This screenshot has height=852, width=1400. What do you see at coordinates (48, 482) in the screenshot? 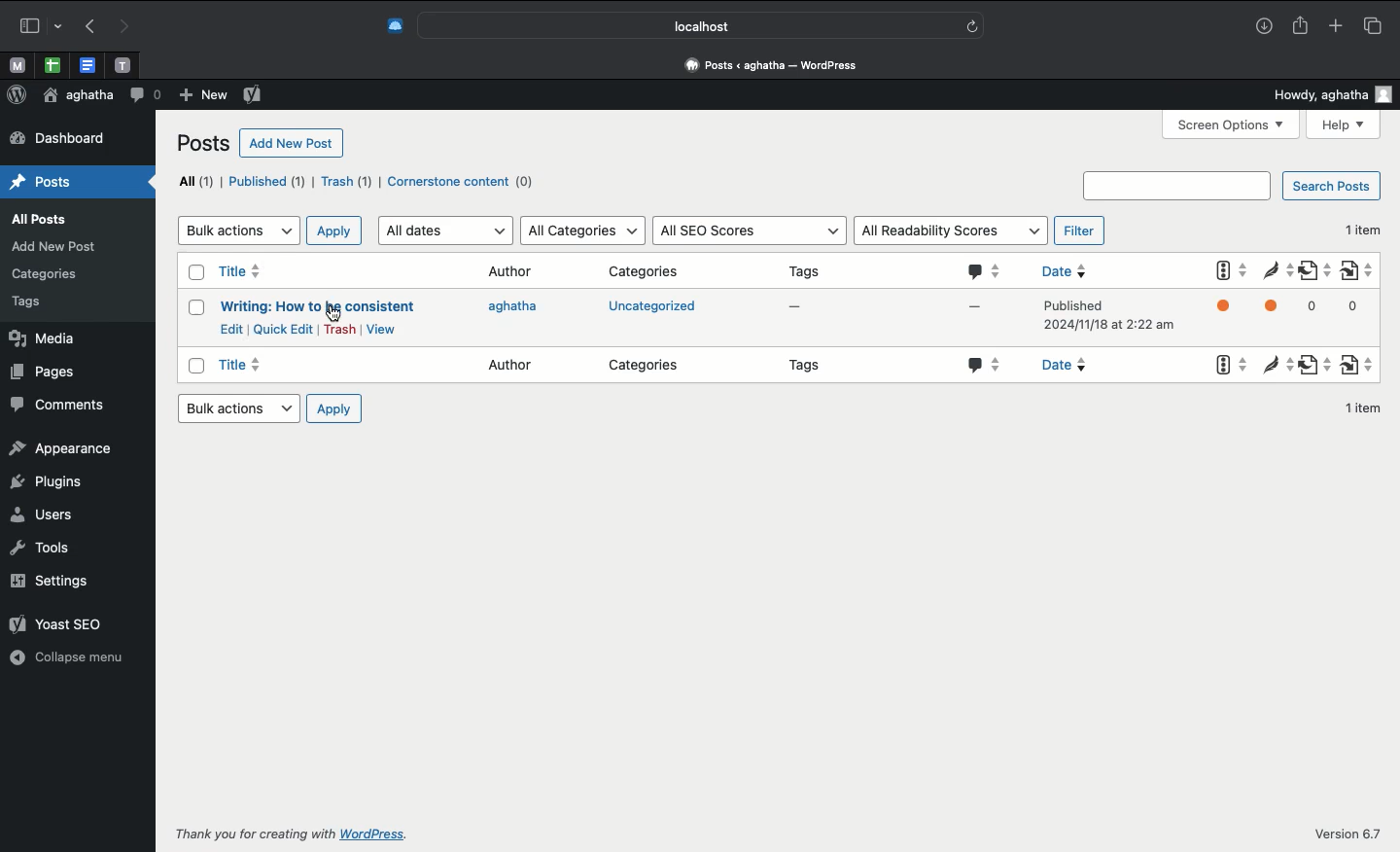
I see `plugins` at bounding box center [48, 482].